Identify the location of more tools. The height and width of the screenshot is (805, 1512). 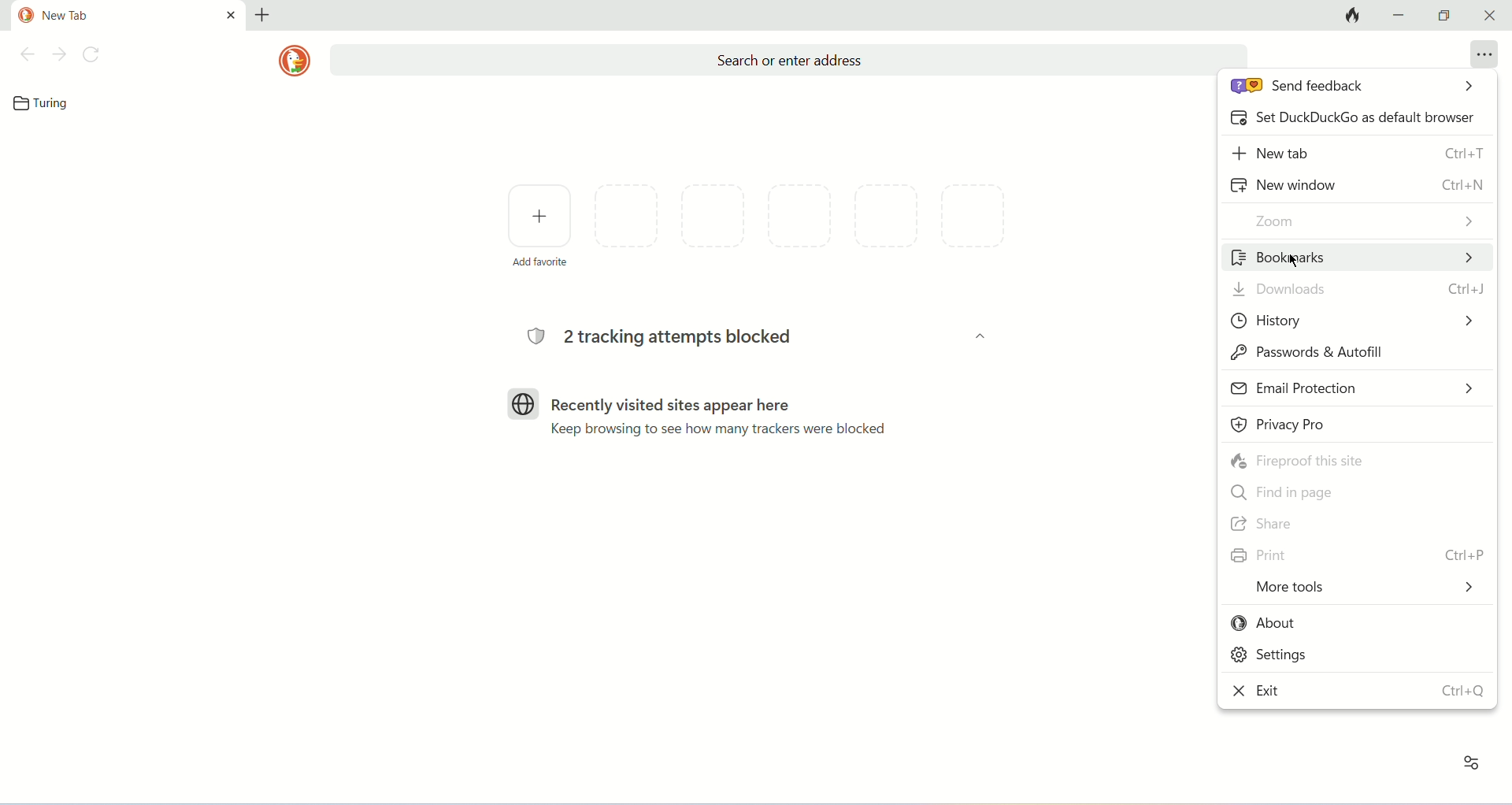
(1354, 591).